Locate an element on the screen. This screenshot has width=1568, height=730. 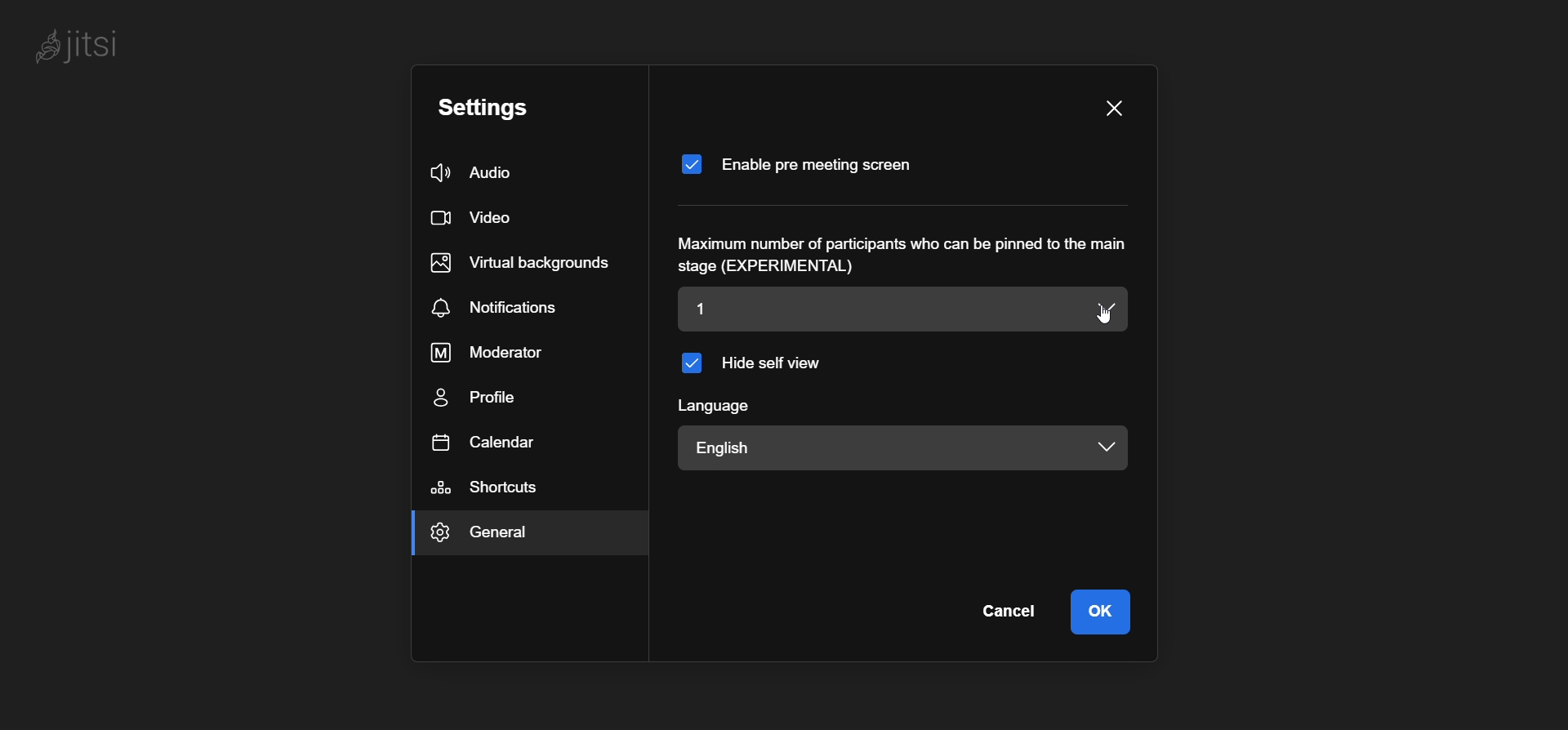
notification is located at coordinates (501, 308).